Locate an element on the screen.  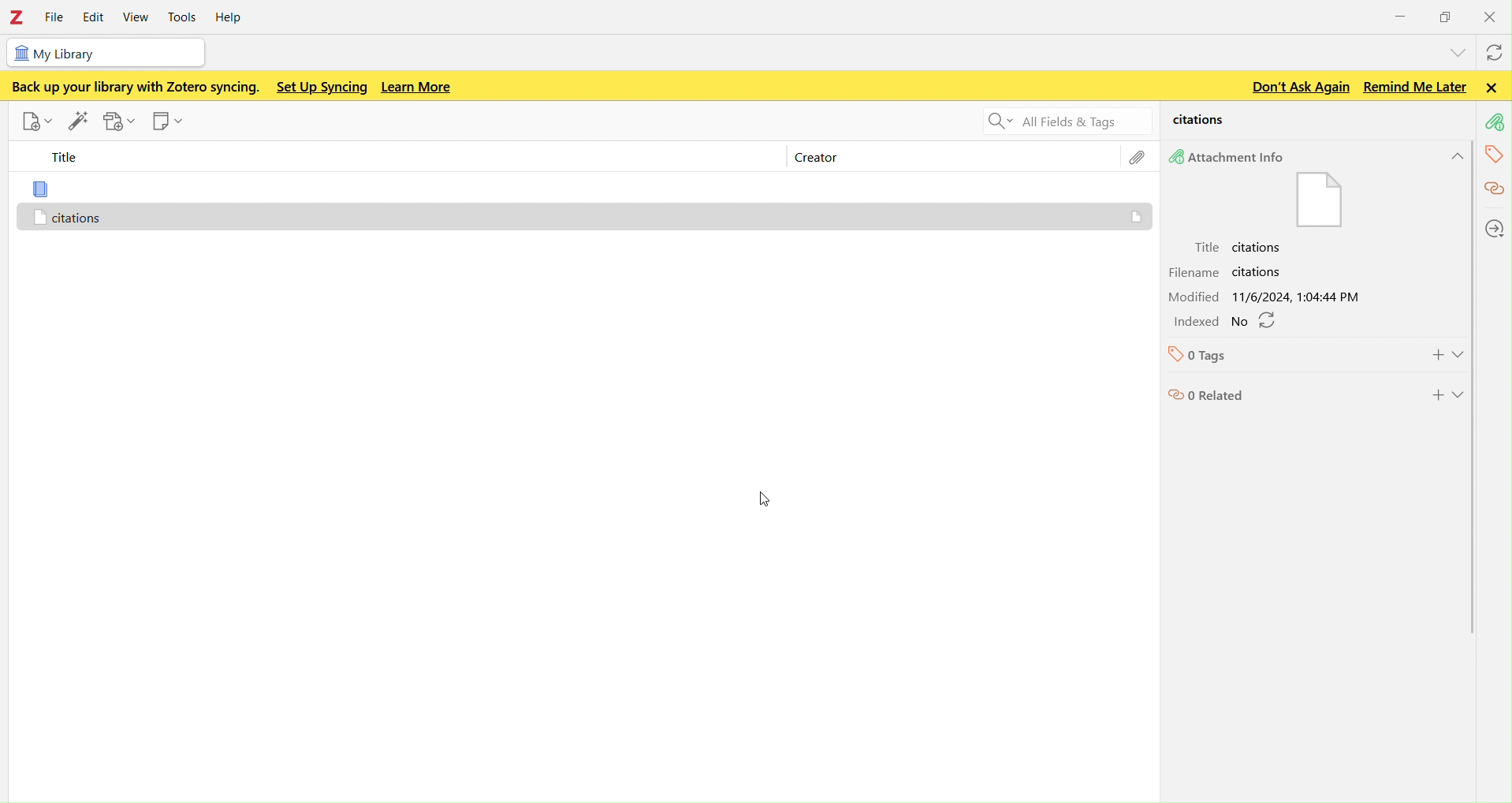
scroll is located at coordinates (1476, 384).